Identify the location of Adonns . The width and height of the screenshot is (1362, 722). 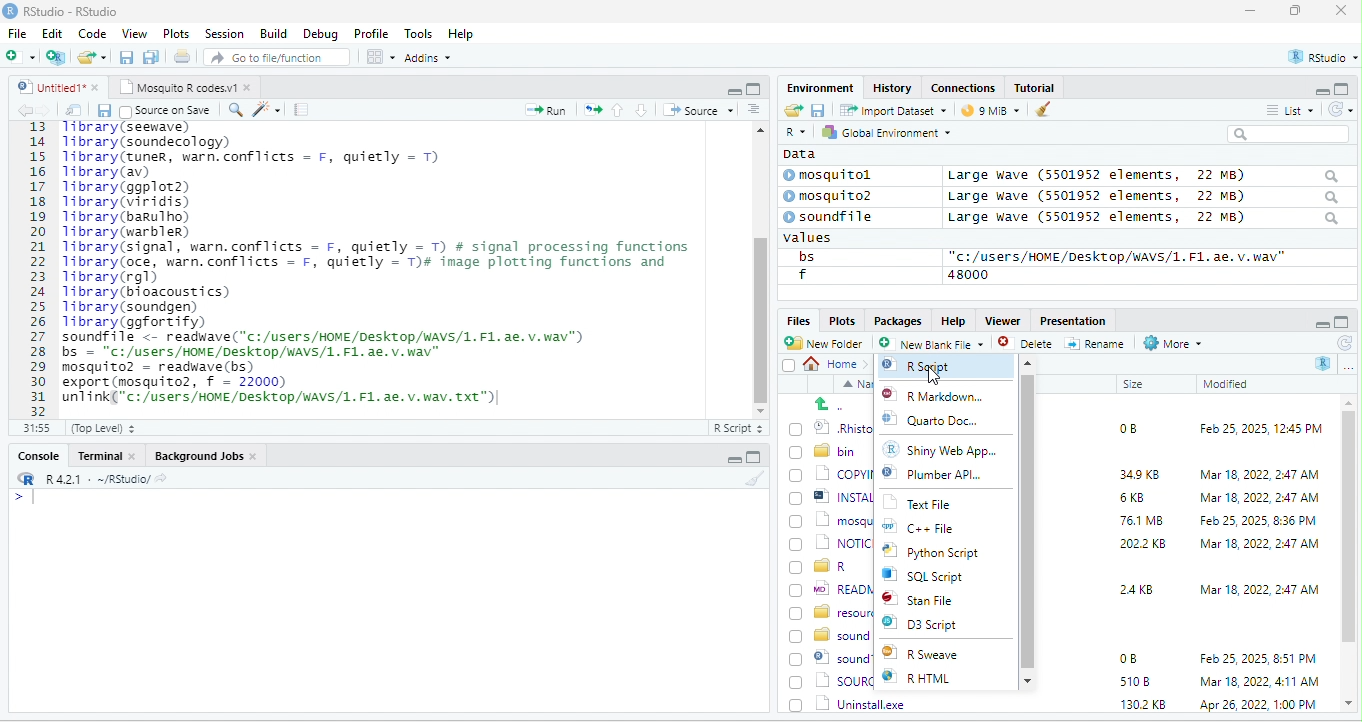
(428, 61).